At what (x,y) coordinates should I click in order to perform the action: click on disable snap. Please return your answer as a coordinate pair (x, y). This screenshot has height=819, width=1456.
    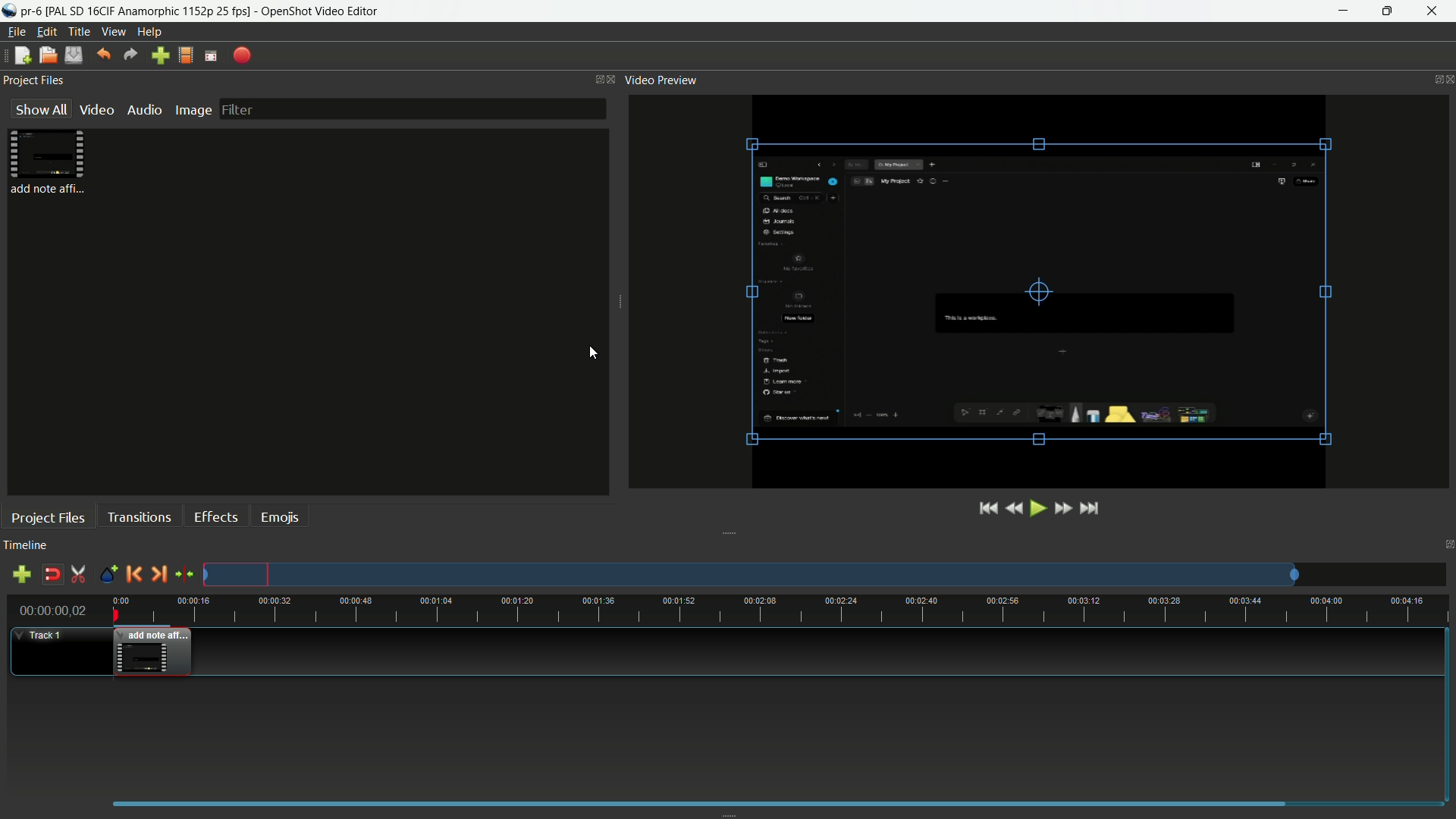
    Looking at the image, I should click on (52, 574).